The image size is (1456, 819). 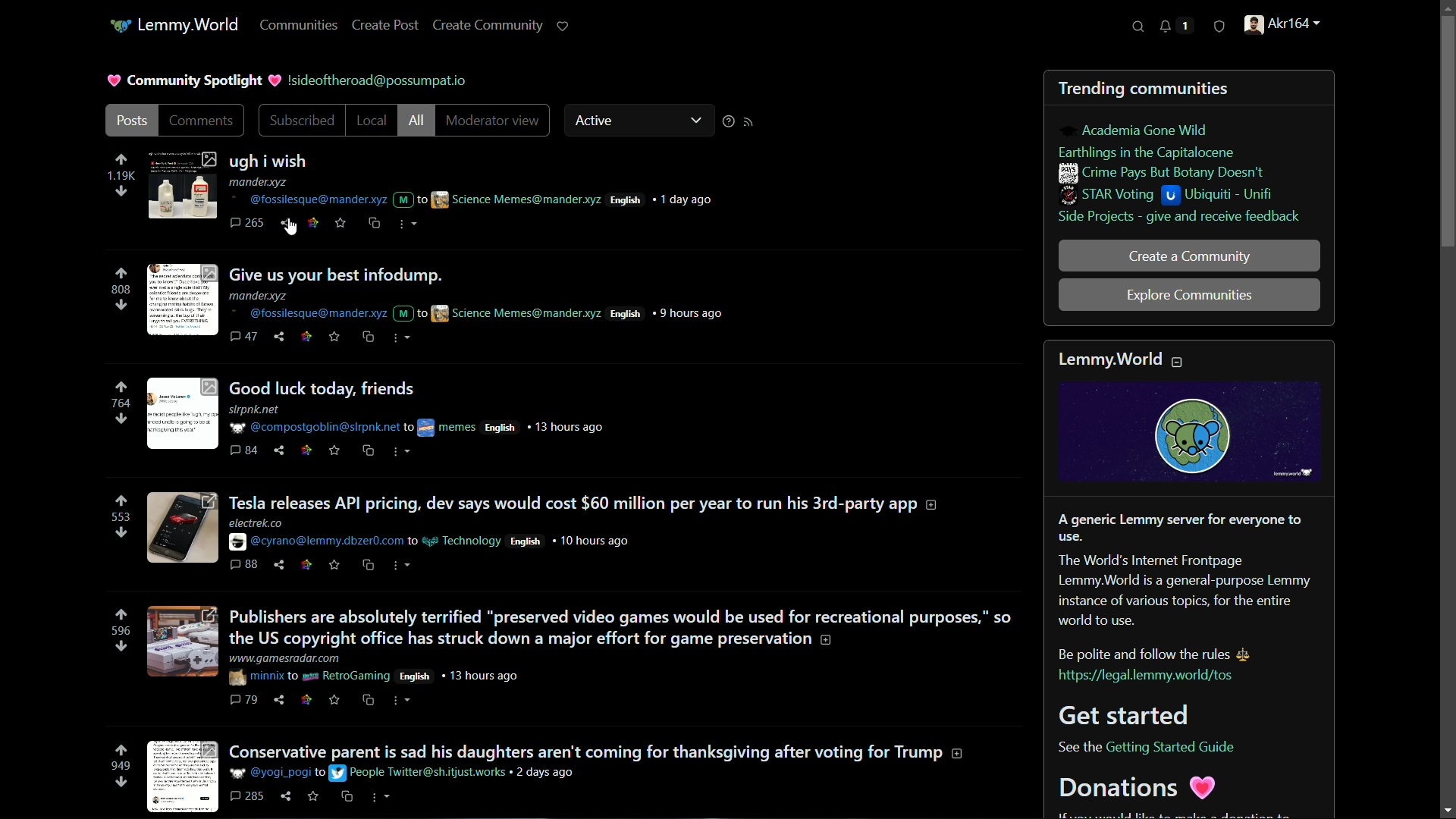 What do you see at coordinates (256, 410) in the screenshot?
I see `slrpnk.net` at bounding box center [256, 410].